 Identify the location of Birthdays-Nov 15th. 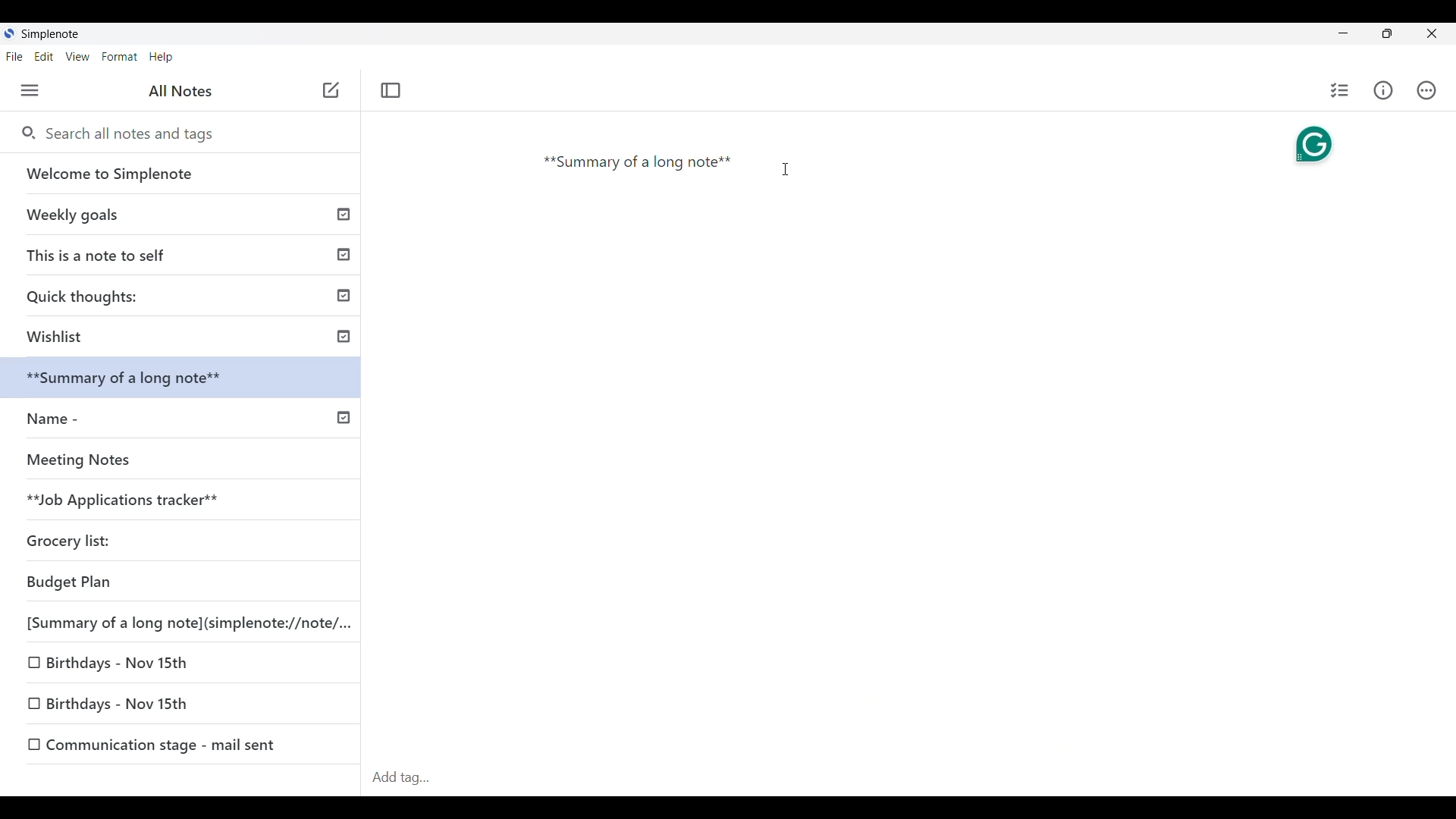
(121, 664).